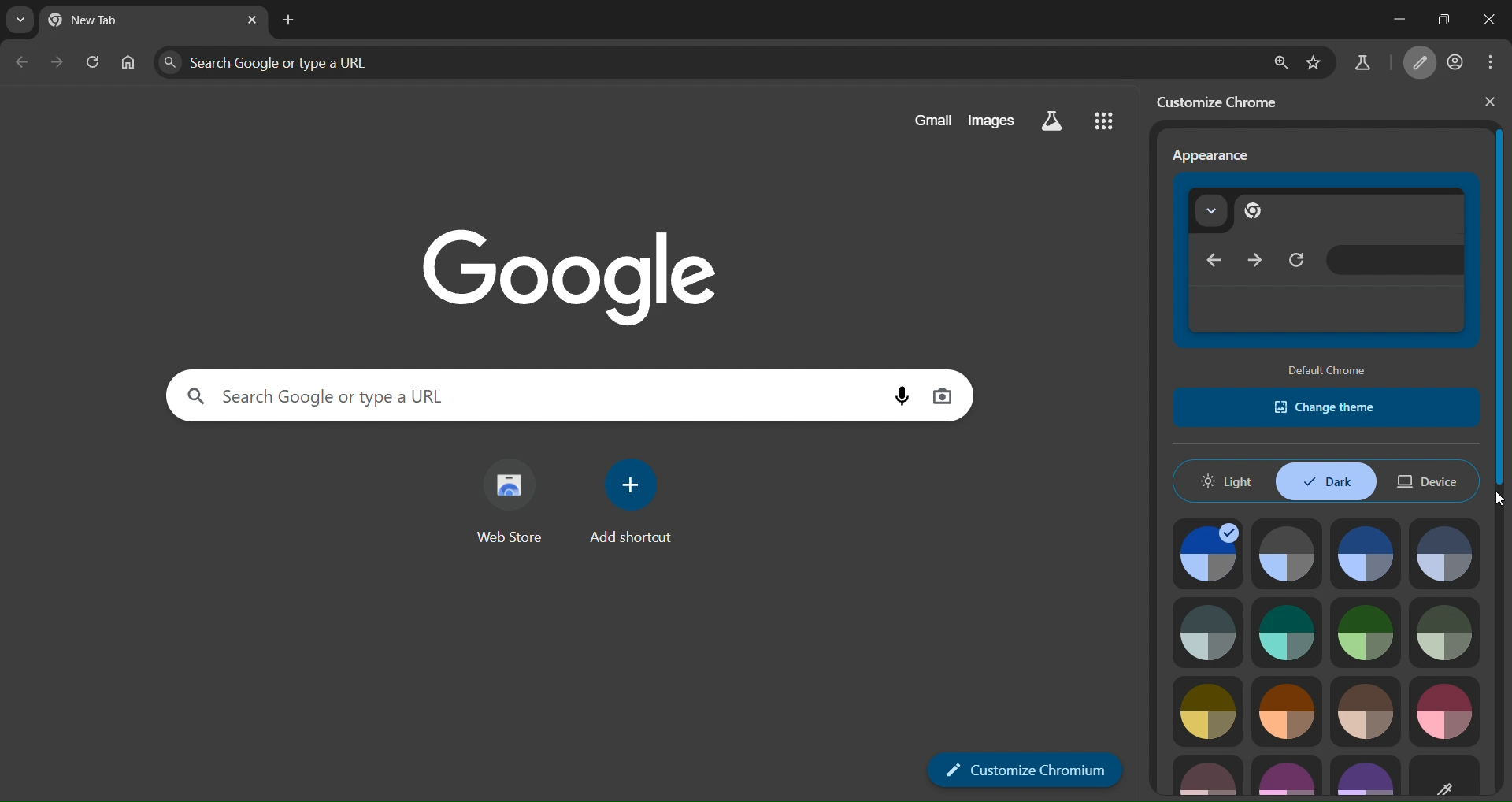 Image resolution: width=1512 pixels, height=802 pixels. Describe the element at coordinates (289, 19) in the screenshot. I see `new tab` at that location.